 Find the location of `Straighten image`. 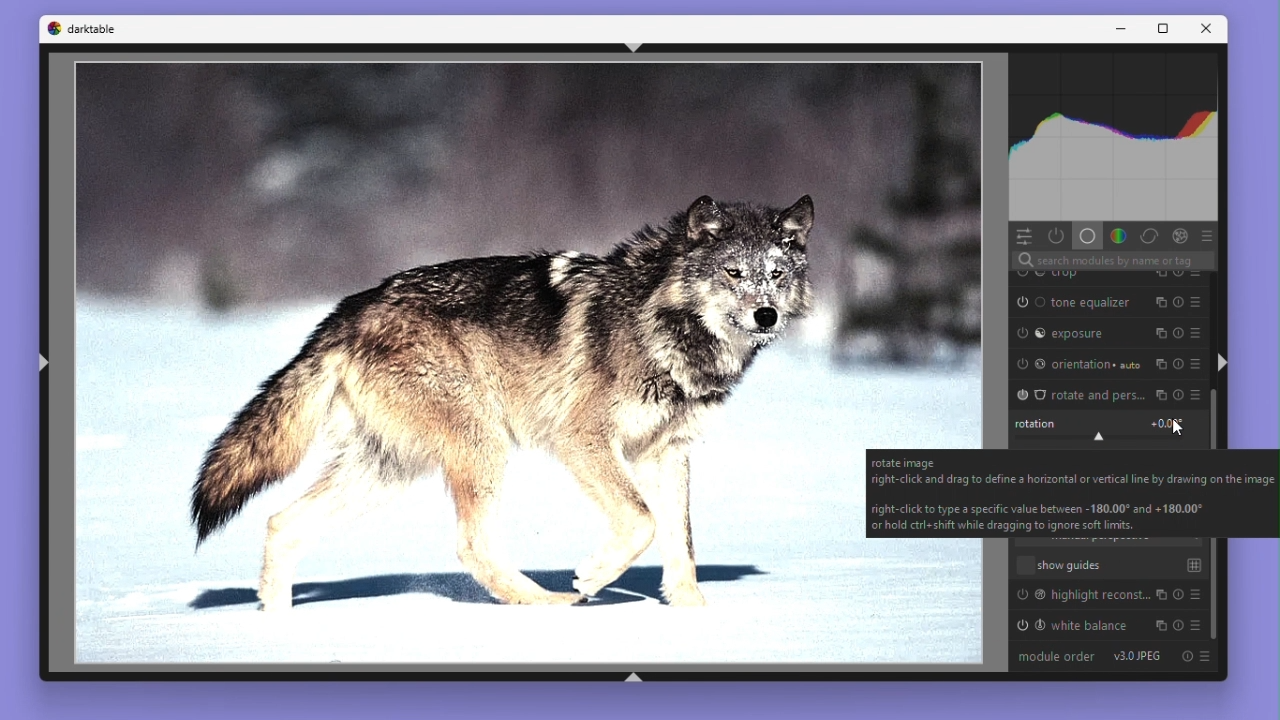

Straighten image is located at coordinates (459, 365).